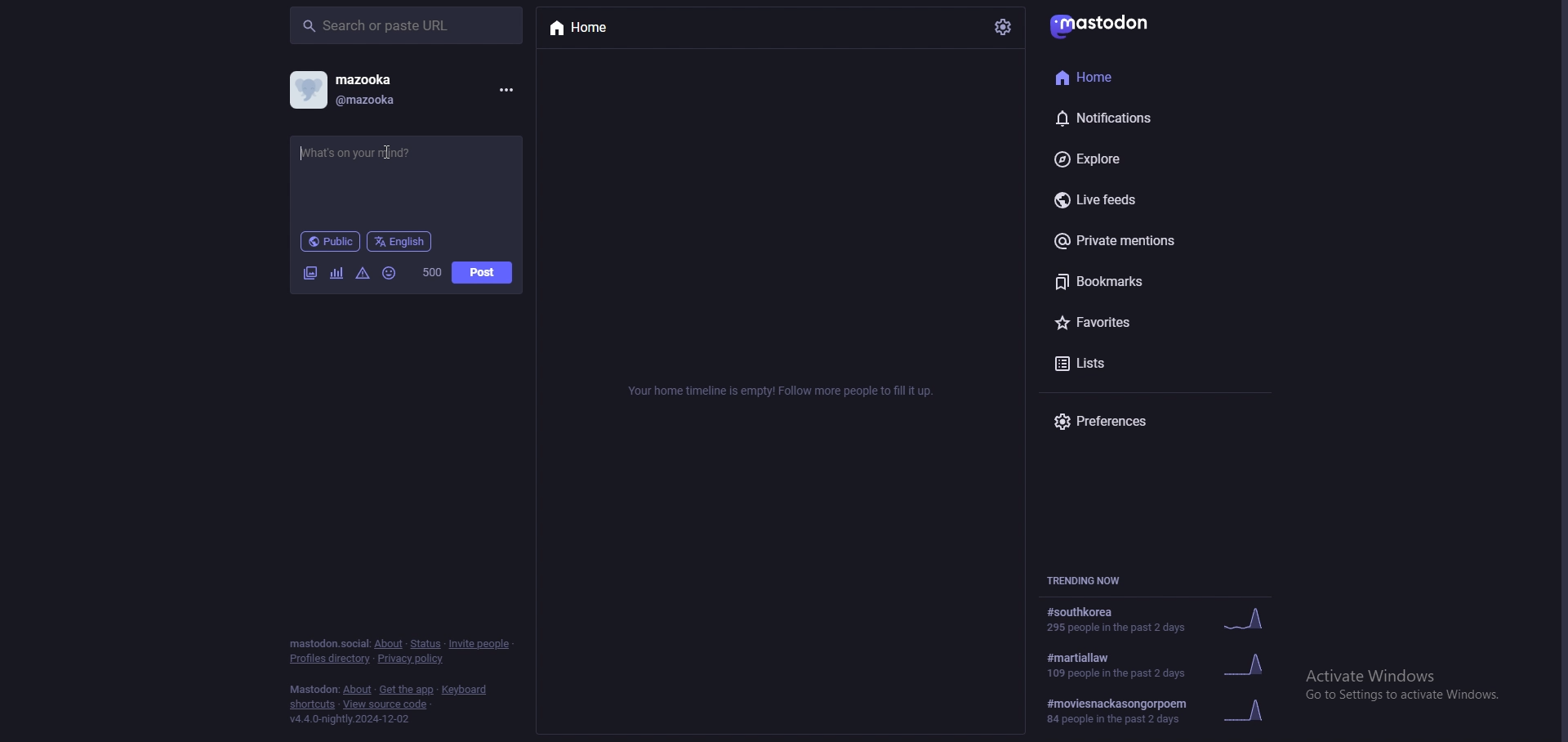 The height and width of the screenshot is (742, 1568). Describe the element at coordinates (431, 272) in the screenshot. I see `word limit` at that location.